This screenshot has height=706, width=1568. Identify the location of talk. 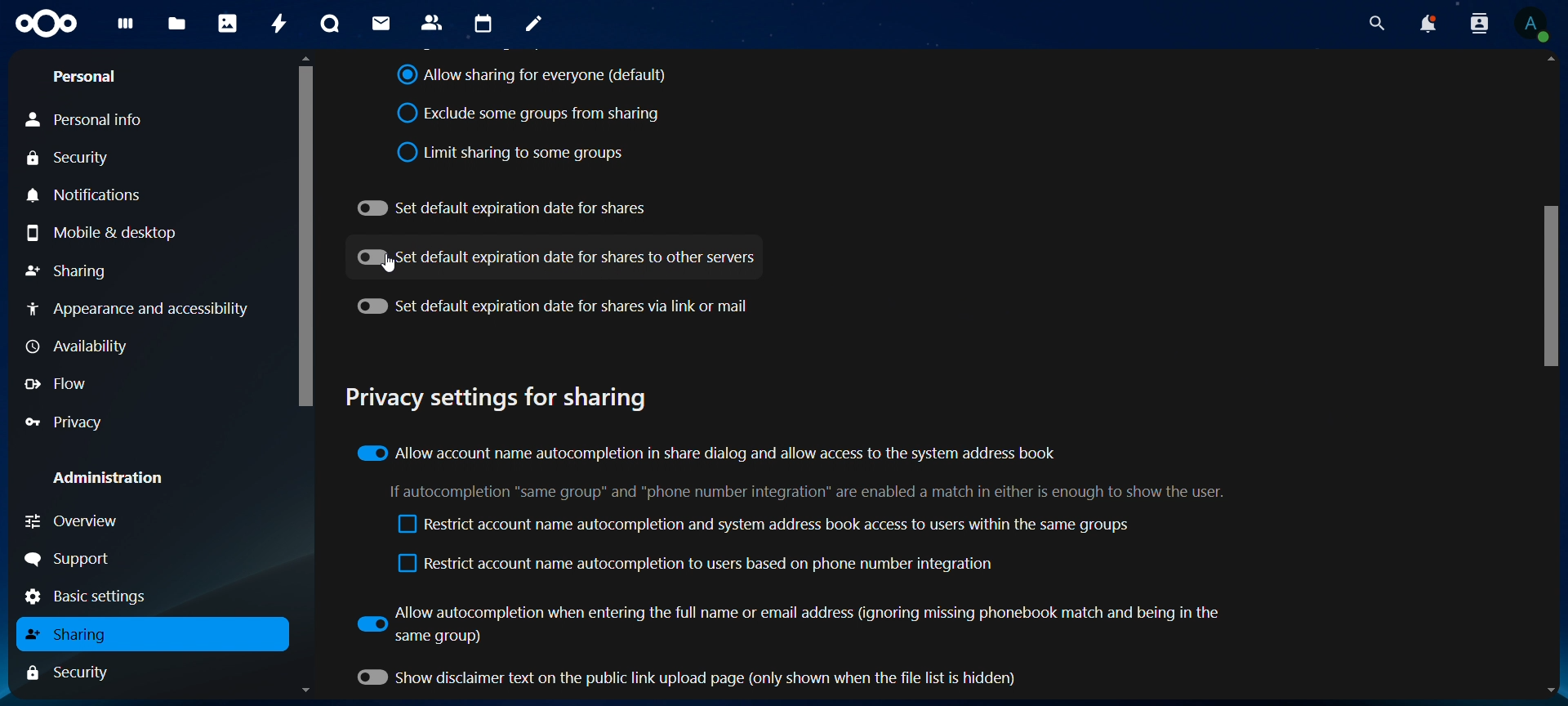
(329, 22).